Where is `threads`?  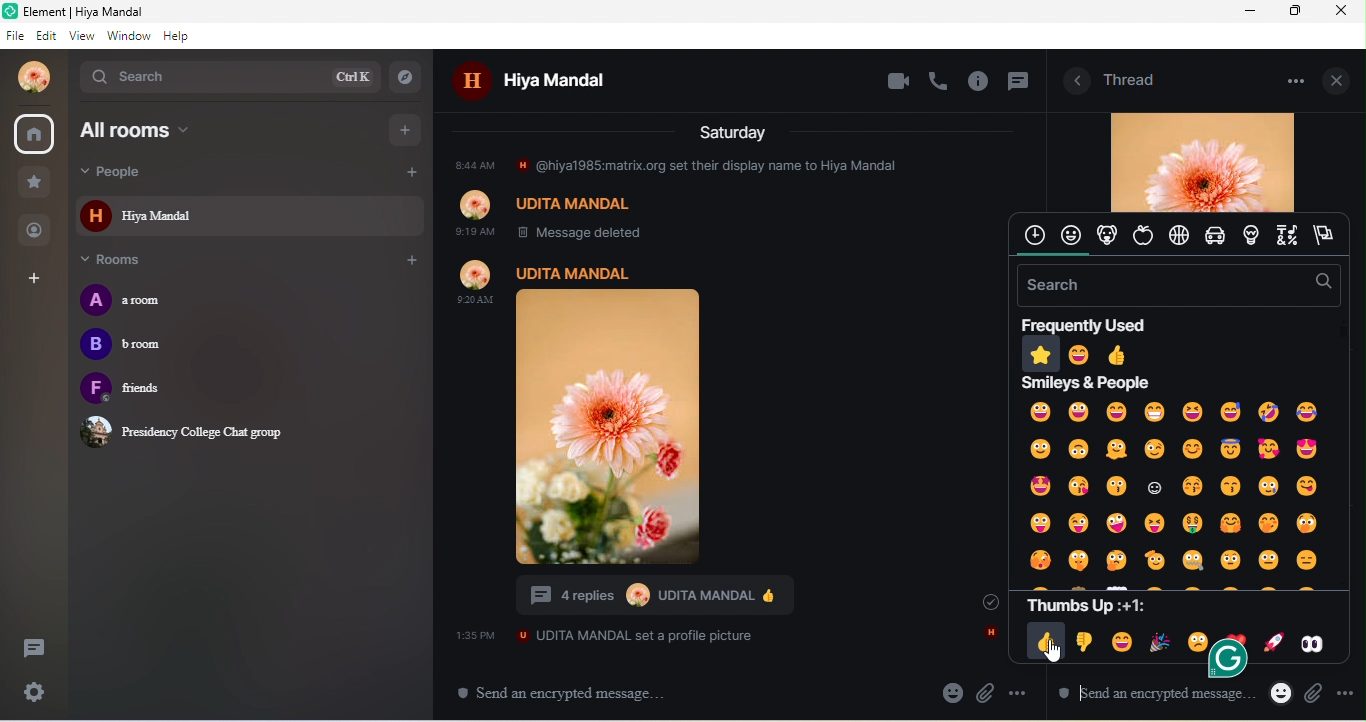 threads is located at coordinates (32, 651).